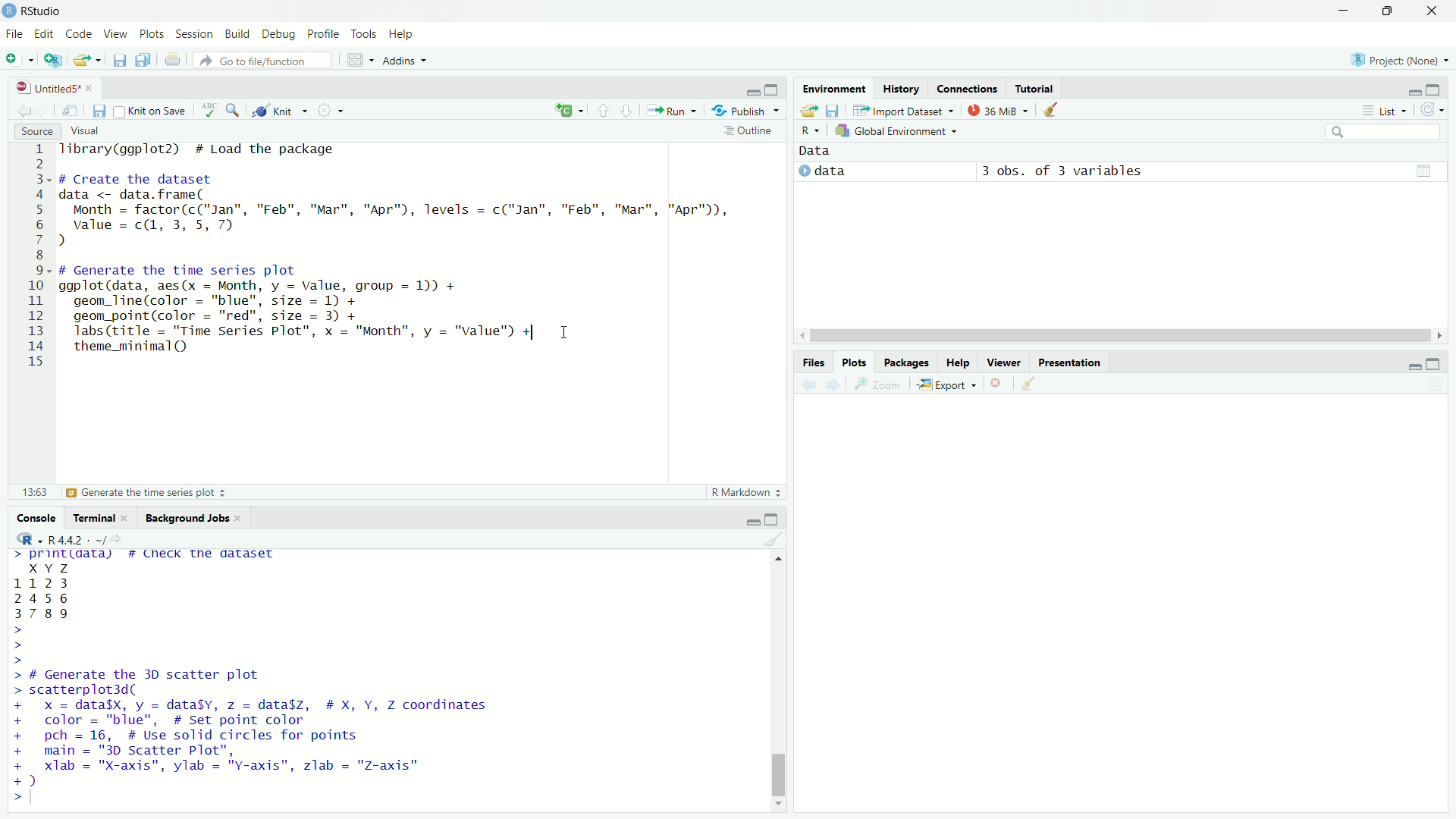 This screenshot has height=819, width=1456. What do you see at coordinates (36, 259) in the screenshot?
I see `serial number` at bounding box center [36, 259].